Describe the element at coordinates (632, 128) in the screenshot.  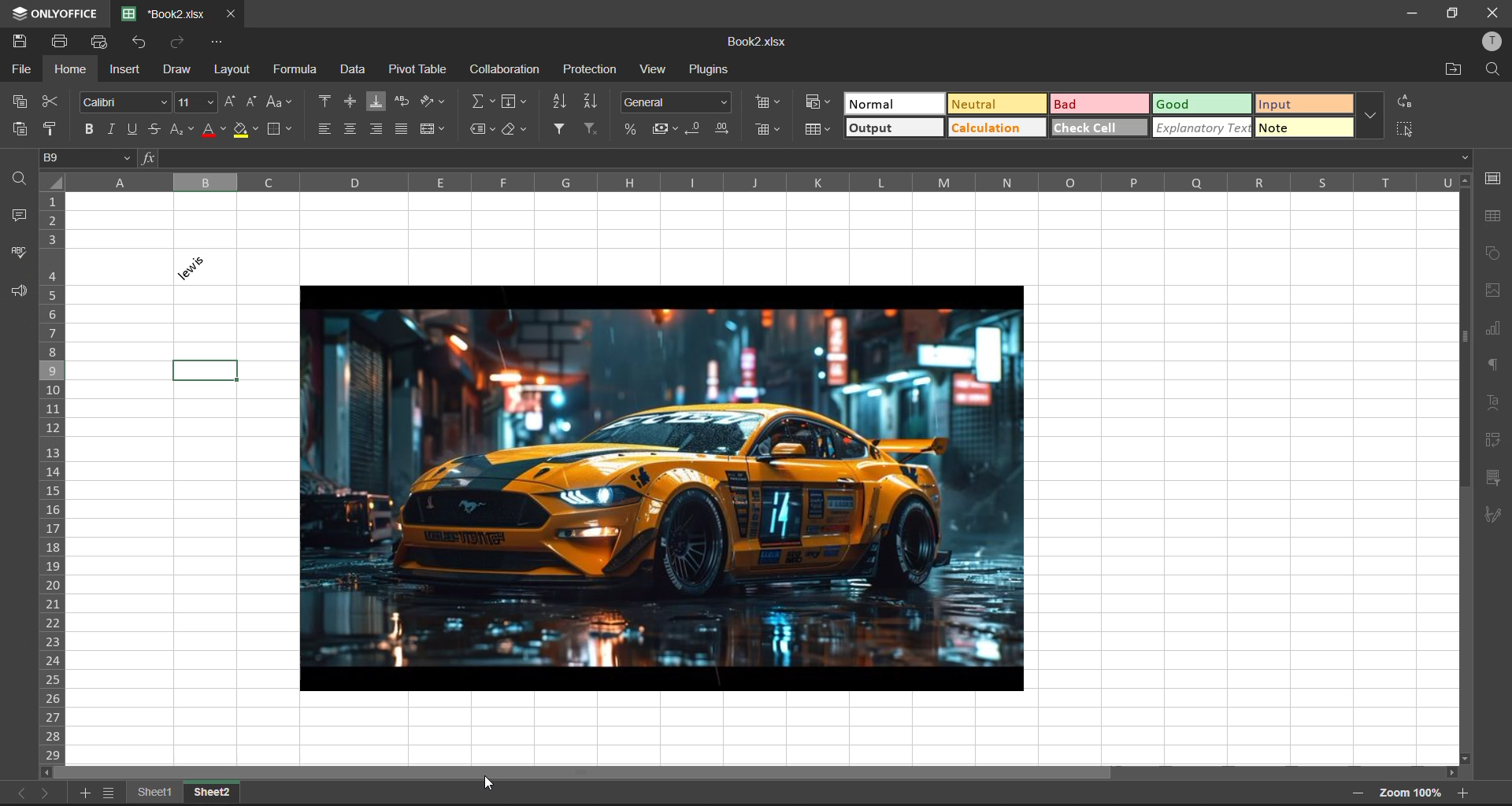
I see `percent` at that location.